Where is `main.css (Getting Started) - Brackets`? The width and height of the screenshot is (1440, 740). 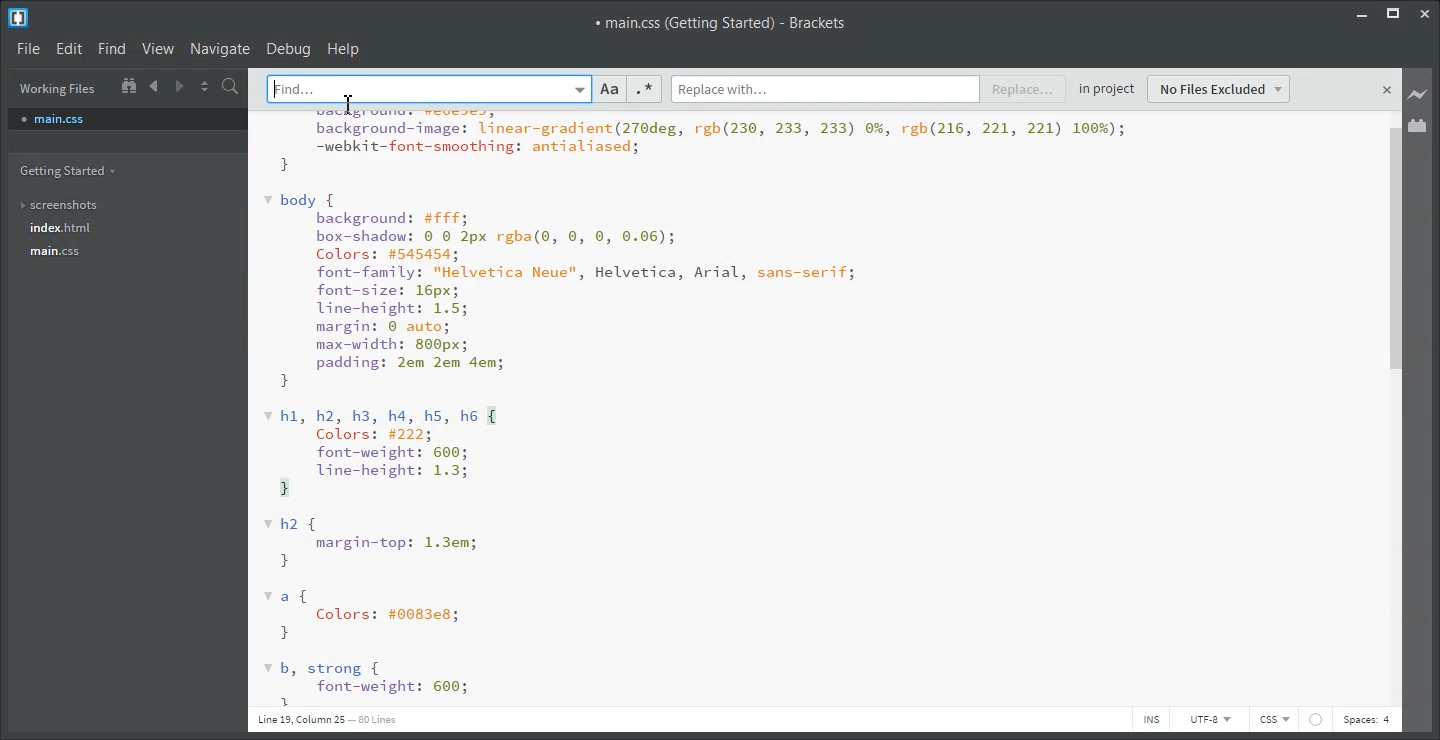 main.css (Getting Started) - Brackets is located at coordinates (720, 23).